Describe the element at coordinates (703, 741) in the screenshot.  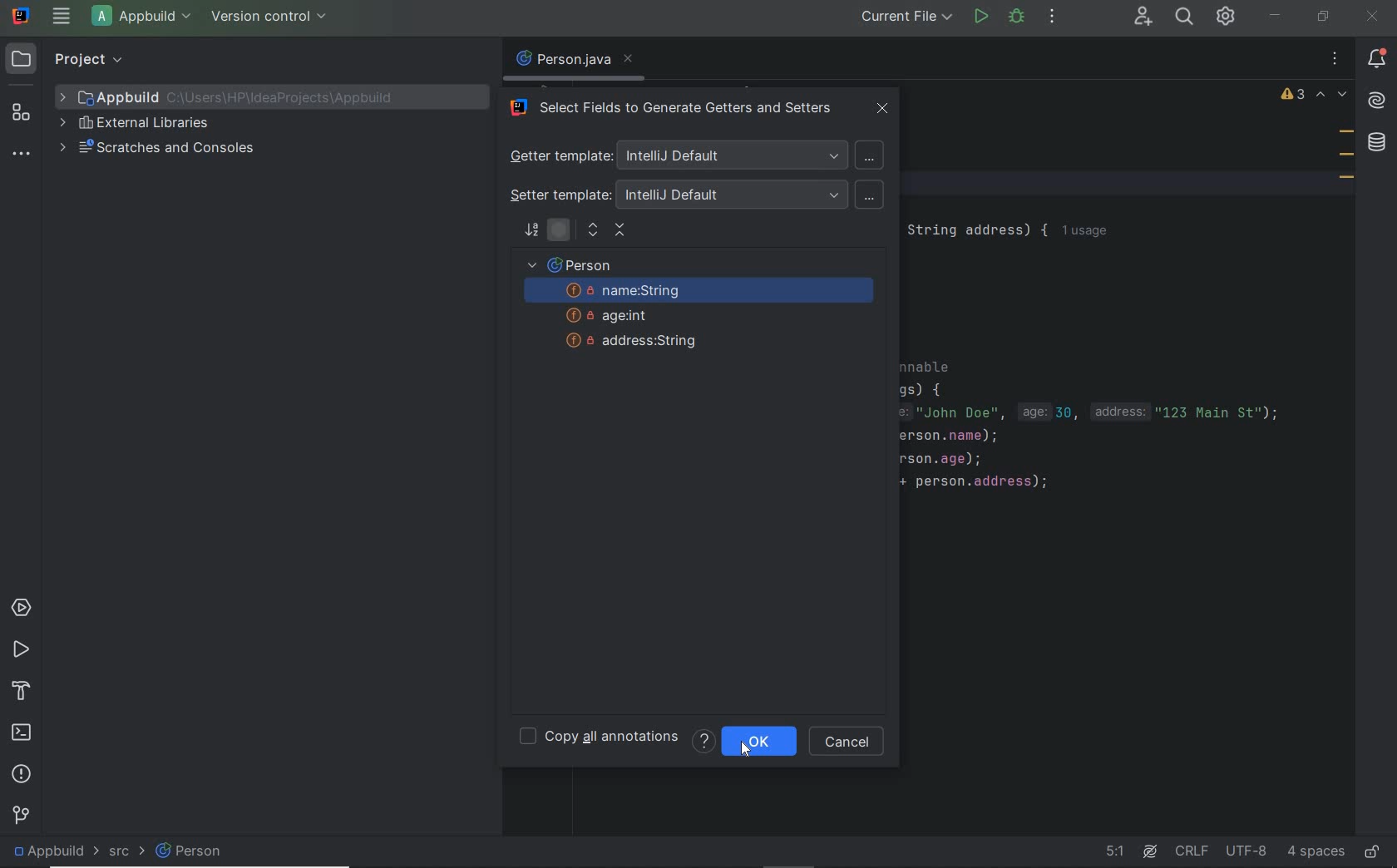
I see `show help contents` at that location.